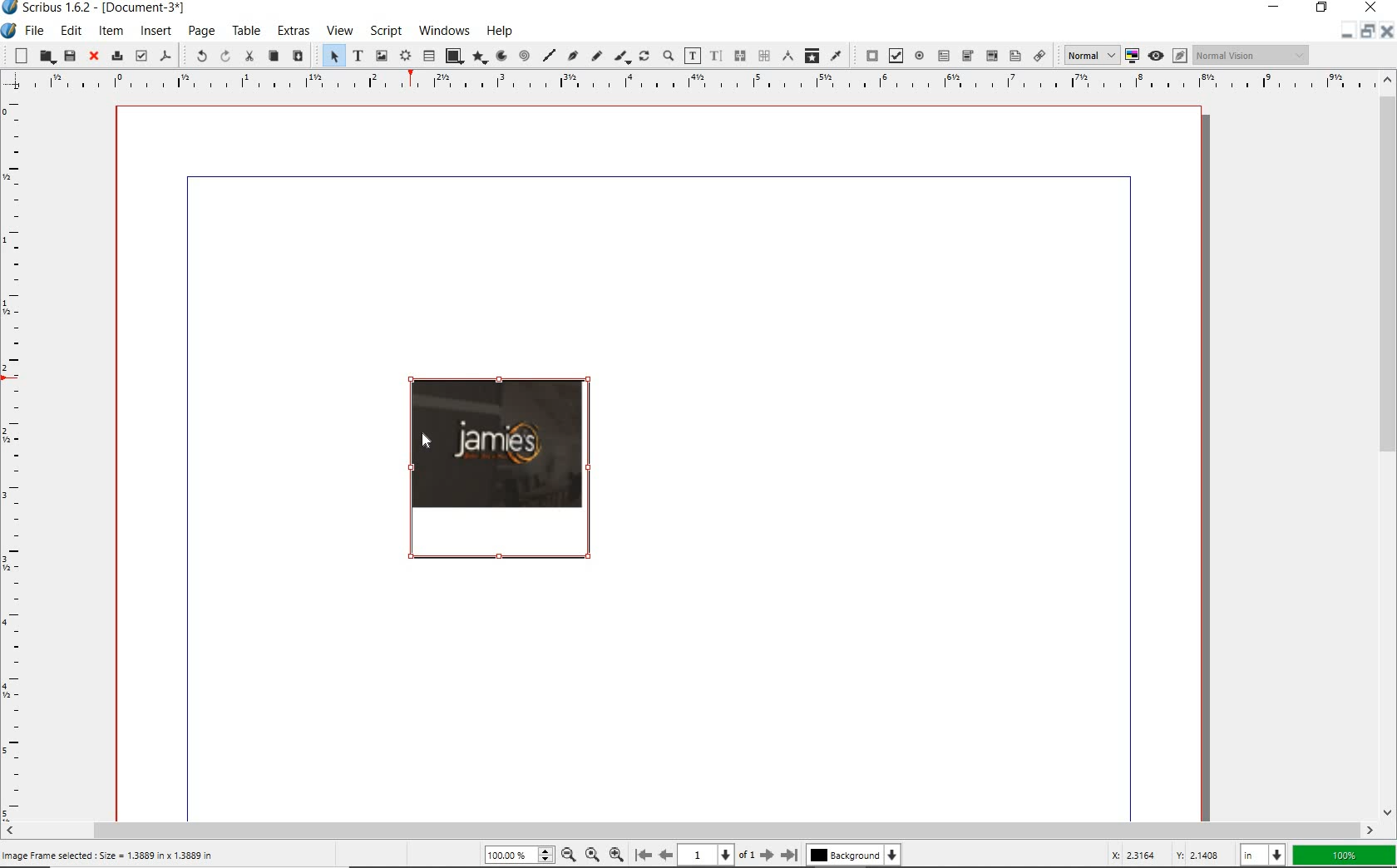  What do you see at coordinates (357, 55) in the screenshot?
I see `text frame` at bounding box center [357, 55].